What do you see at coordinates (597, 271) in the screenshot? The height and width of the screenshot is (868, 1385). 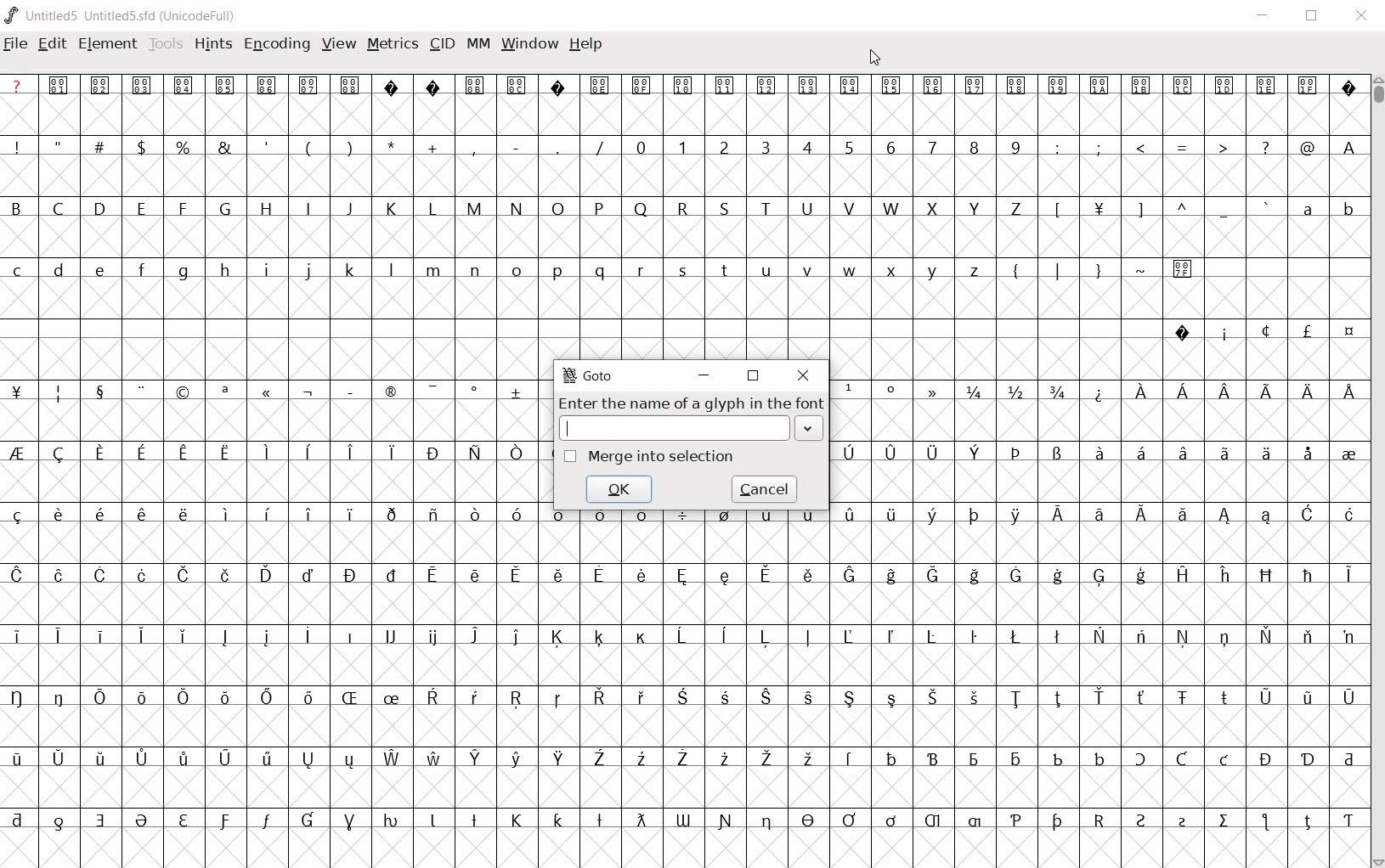 I see `q` at bounding box center [597, 271].